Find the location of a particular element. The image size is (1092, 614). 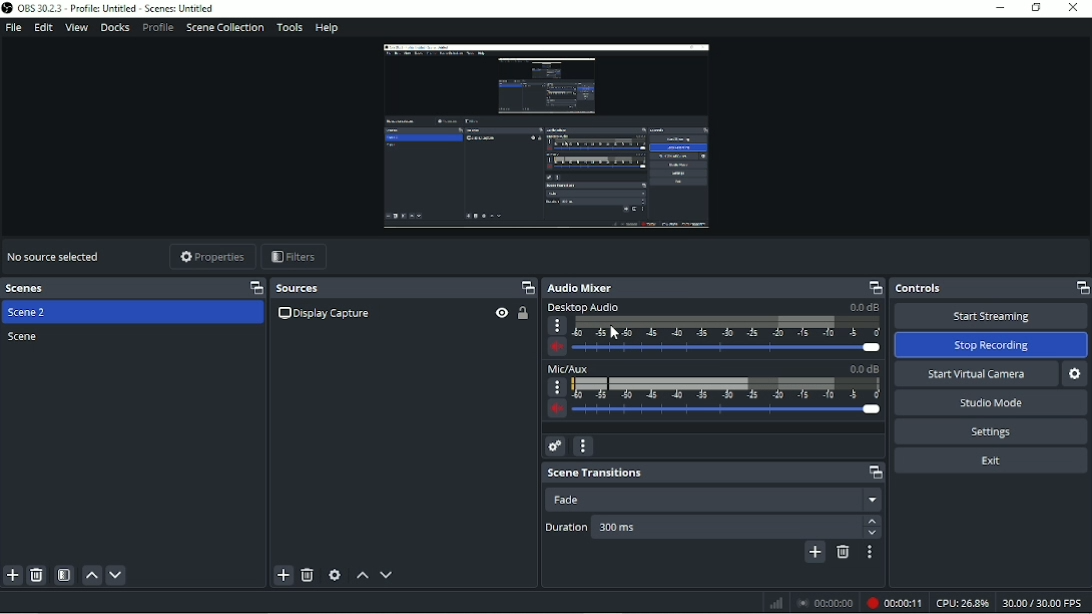

CPU is located at coordinates (962, 603).